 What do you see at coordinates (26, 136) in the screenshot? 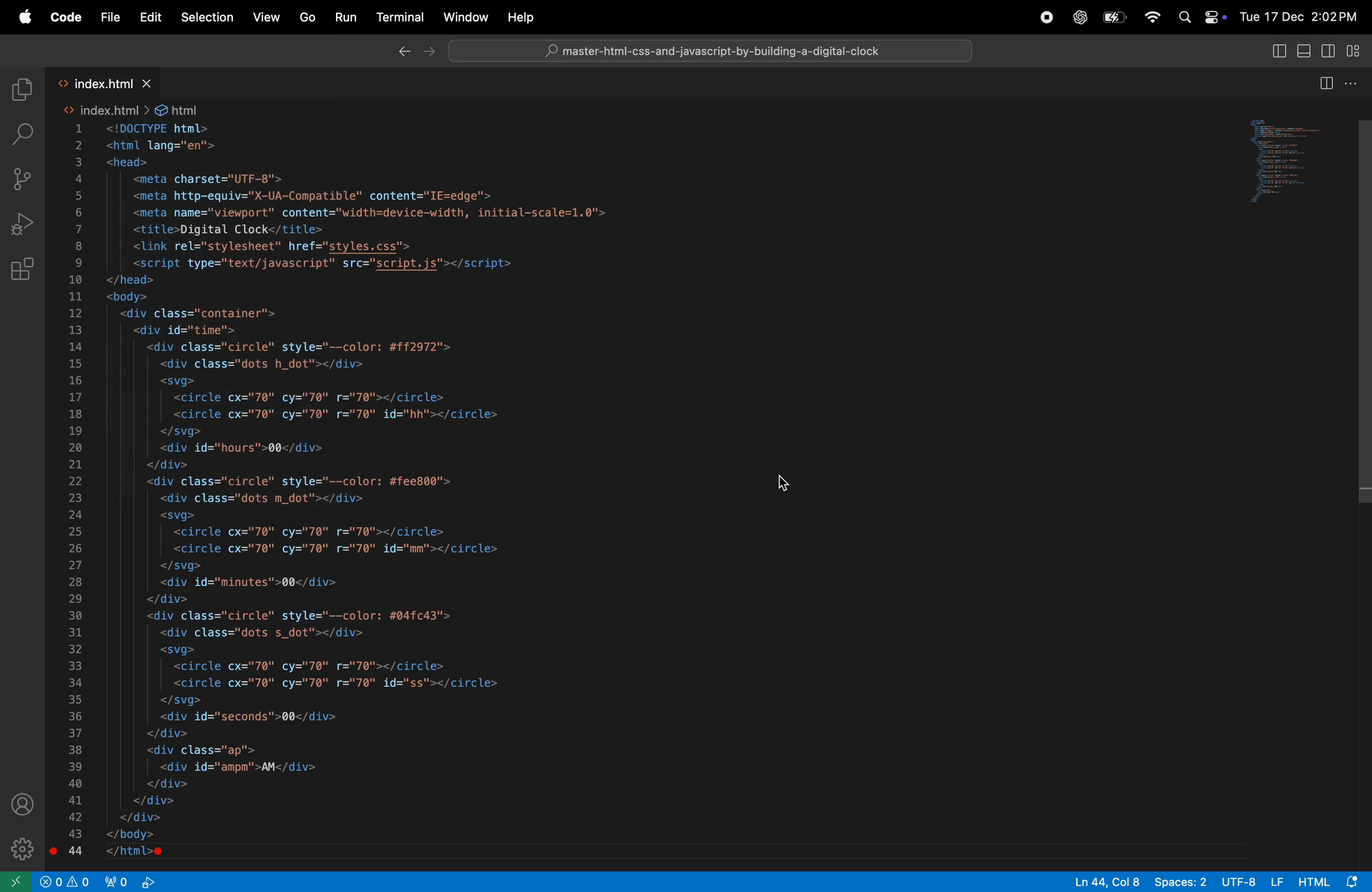
I see `search` at bounding box center [26, 136].